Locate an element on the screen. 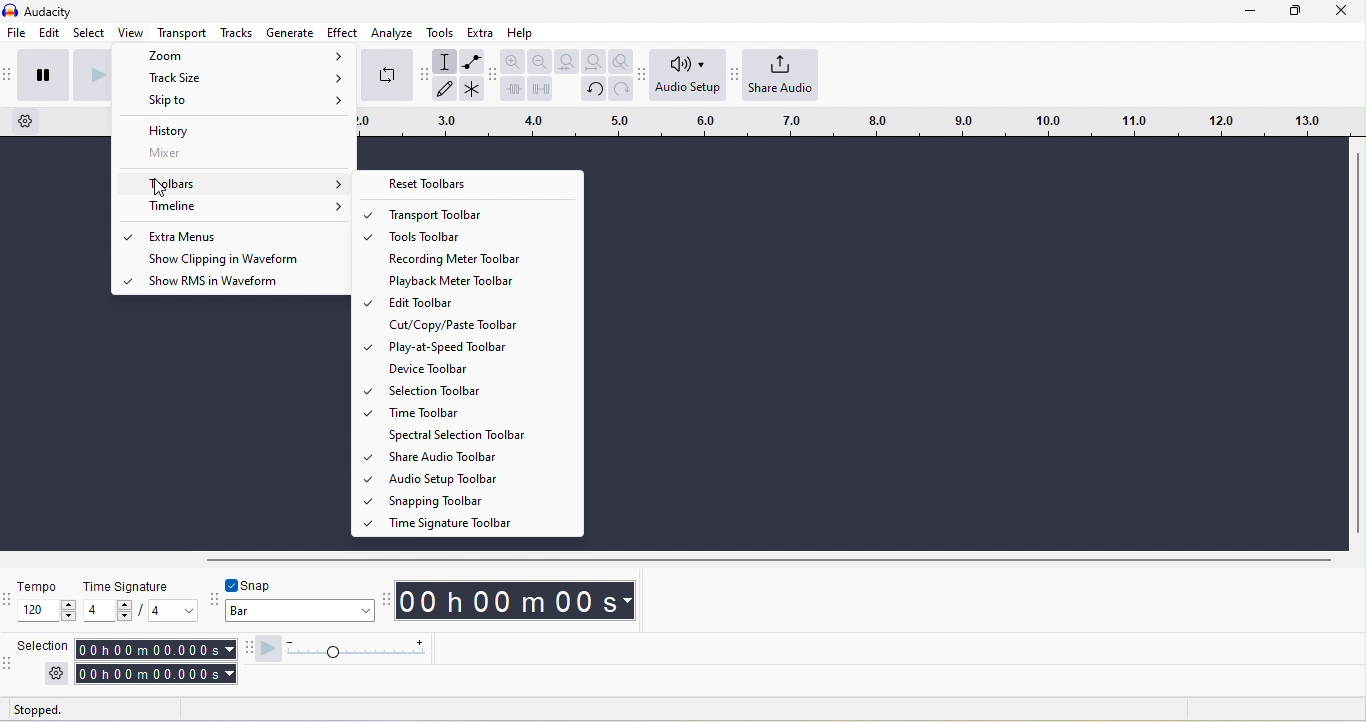 Image resolution: width=1366 pixels, height=722 pixels. Toolbars  is located at coordinates (233, 183).